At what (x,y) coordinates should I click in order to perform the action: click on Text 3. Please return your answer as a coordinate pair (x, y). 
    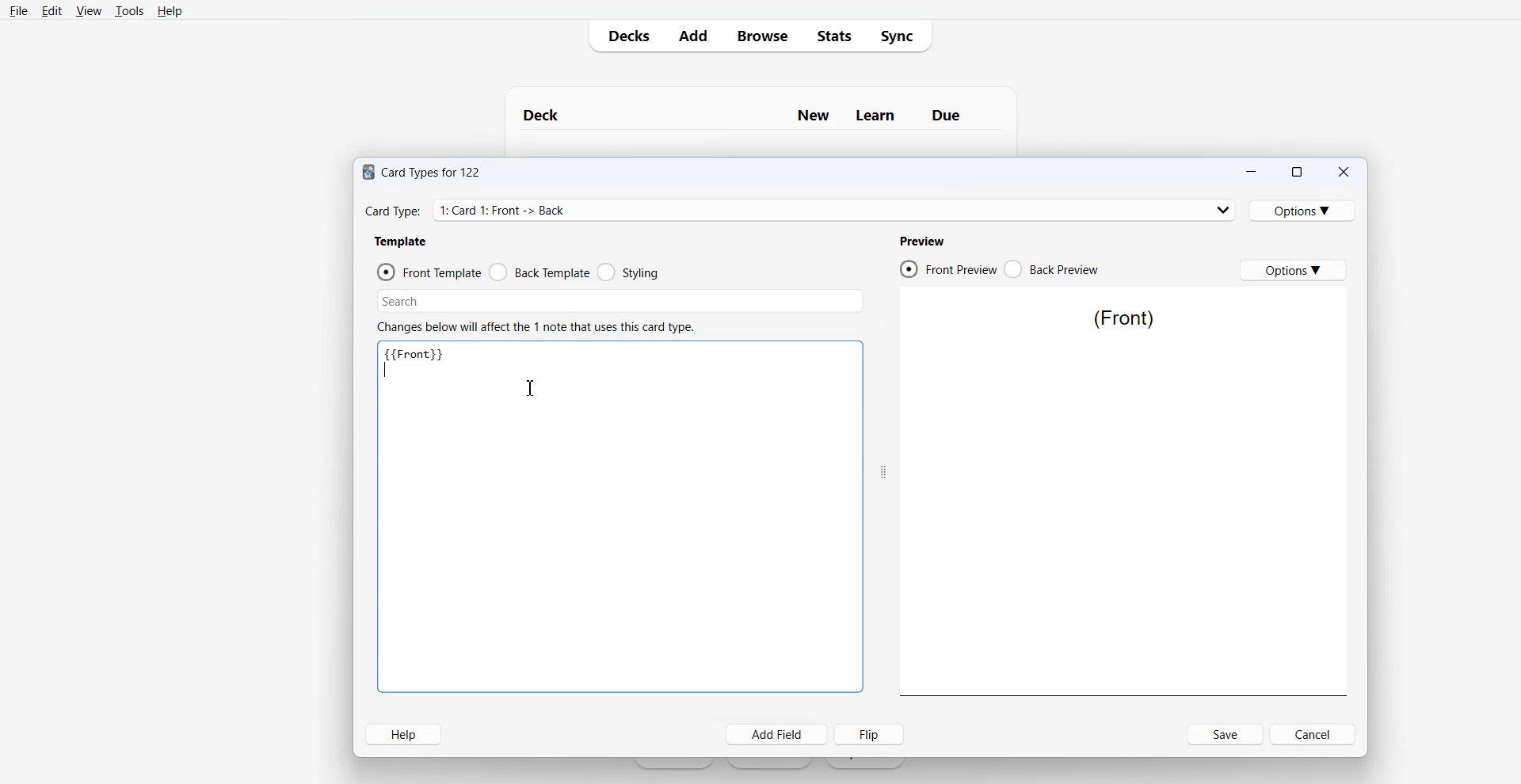
    Looking at the image, I should click on (1126, 320).